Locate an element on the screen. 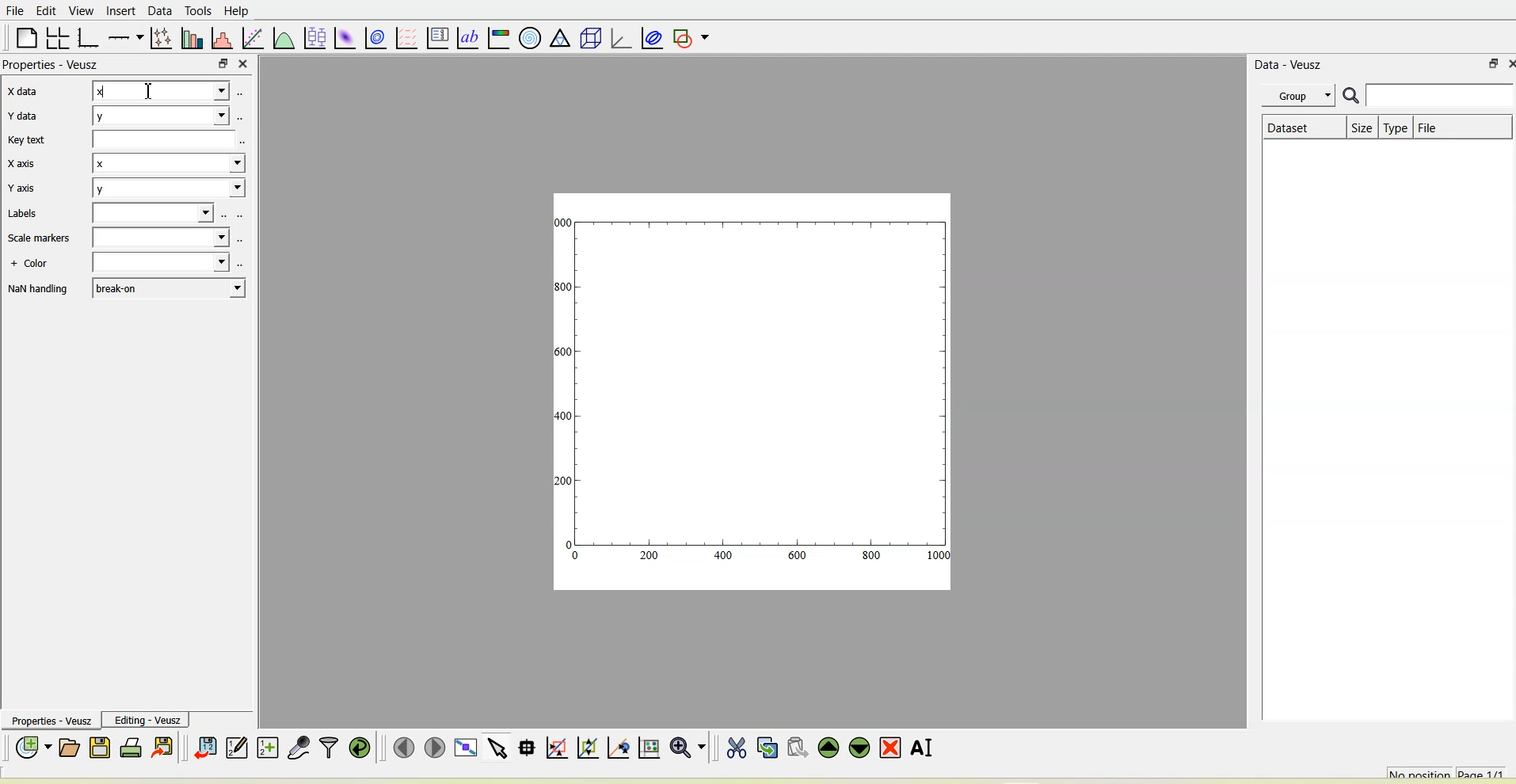  close is located at coordinates (244, 64).